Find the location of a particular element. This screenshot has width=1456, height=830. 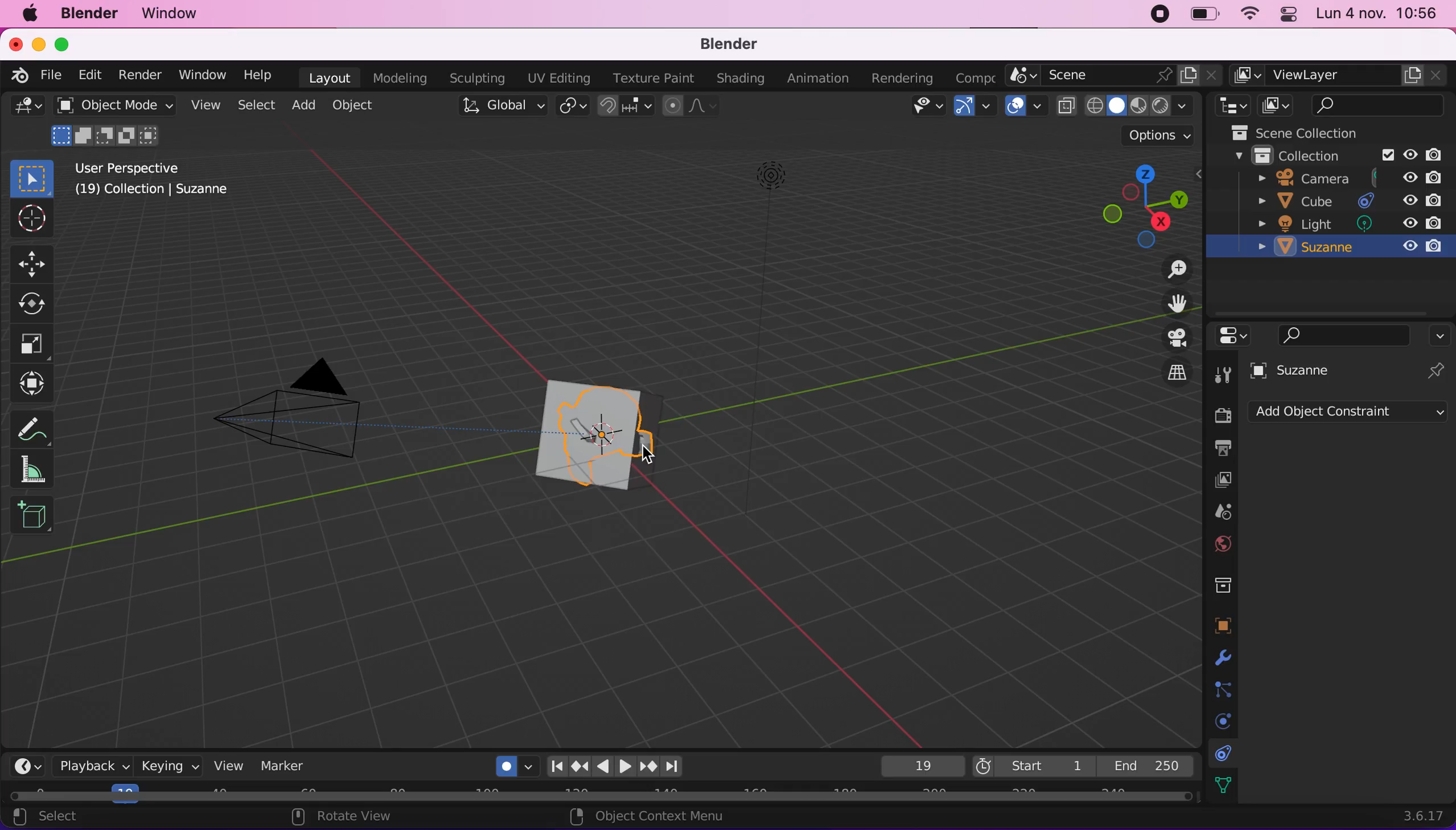

suzanne is located at coordinates (1348, 247).